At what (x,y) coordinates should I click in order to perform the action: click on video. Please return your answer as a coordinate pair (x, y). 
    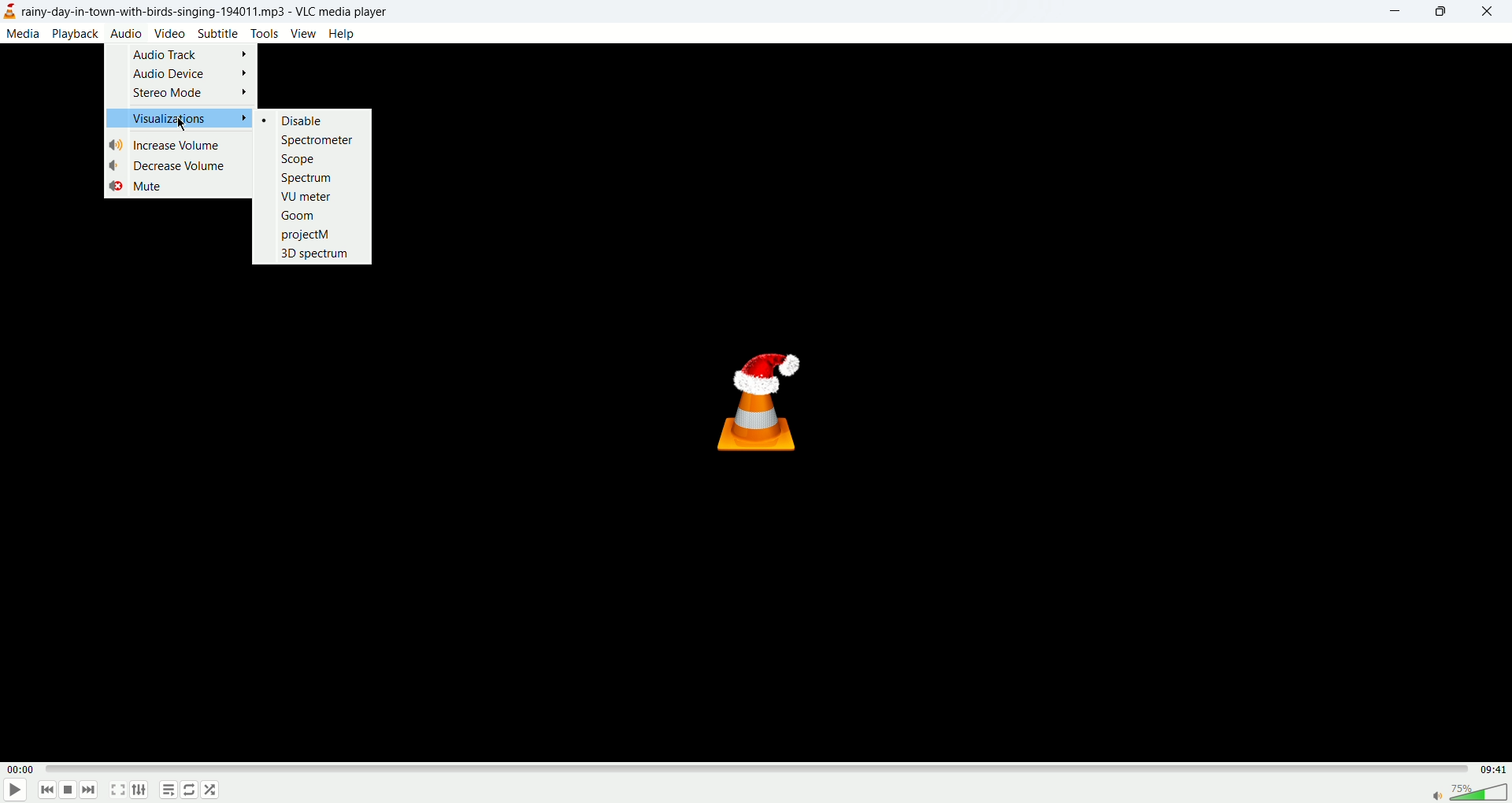
    Looking at the image, I should click on (170, 34).